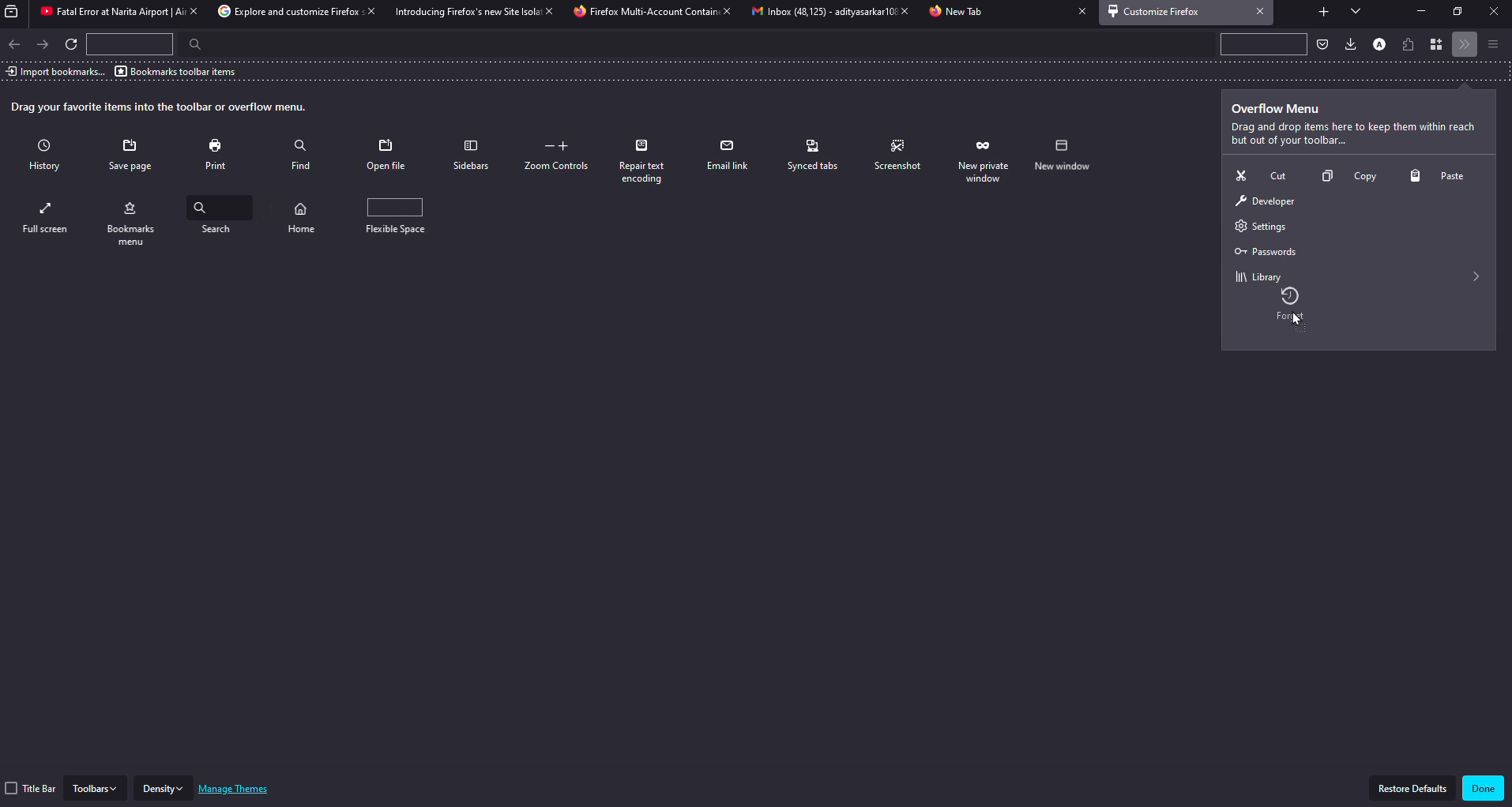  I want to click on paste, so click(1442, 176).